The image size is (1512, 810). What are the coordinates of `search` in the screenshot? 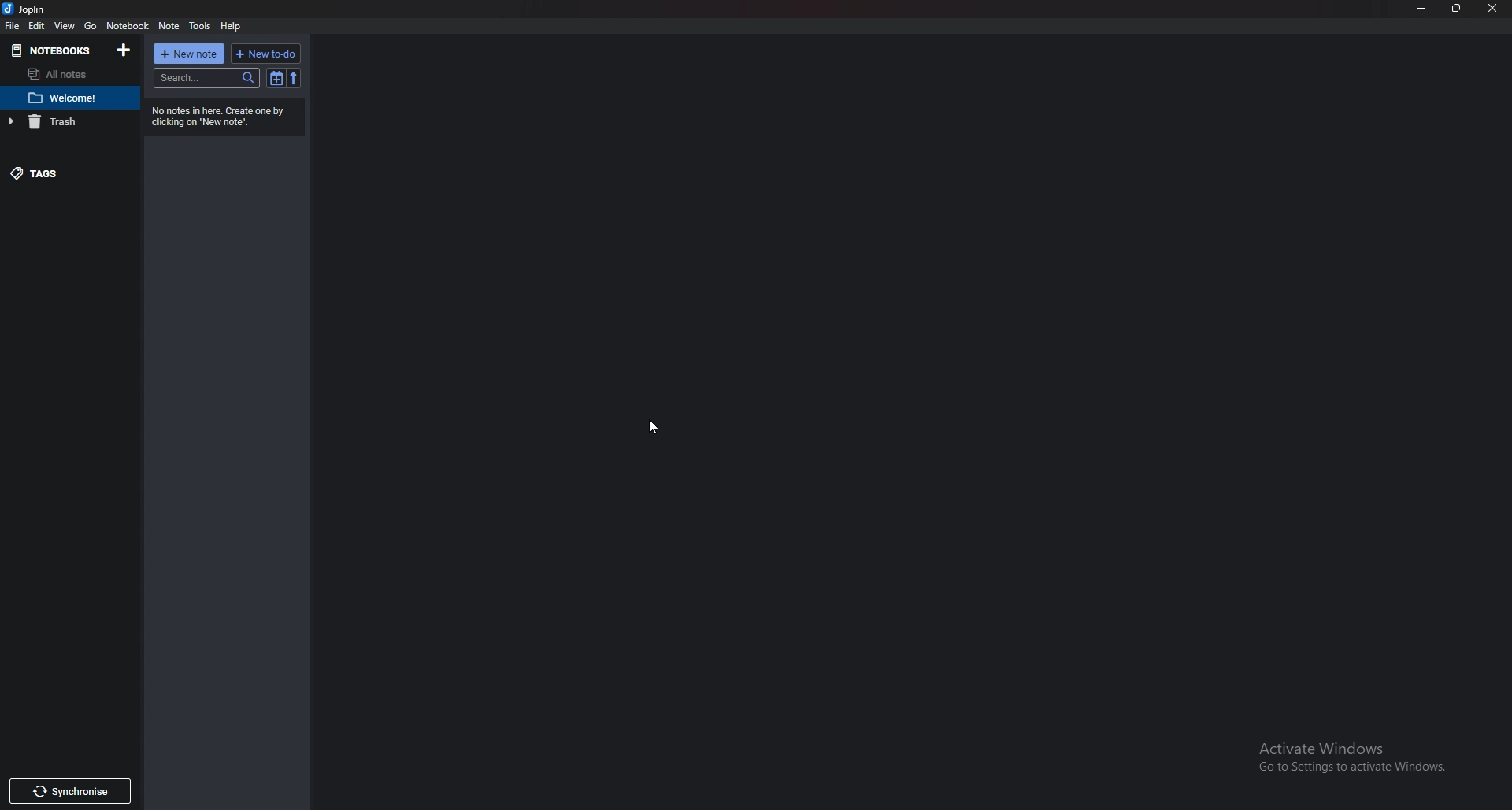 It's located at (206, 80).